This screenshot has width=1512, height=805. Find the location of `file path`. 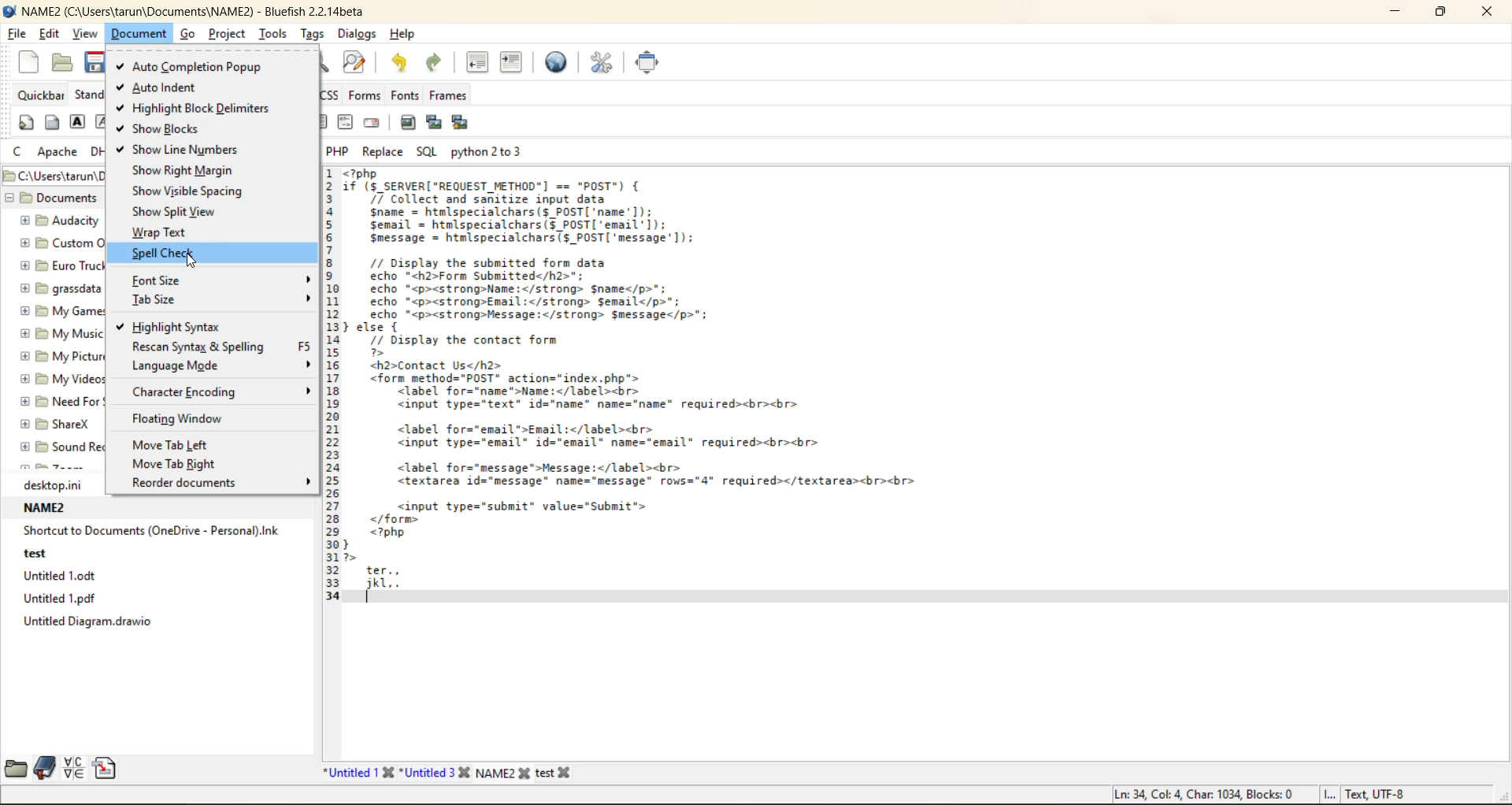

file path is located at coordinates (53, 175).